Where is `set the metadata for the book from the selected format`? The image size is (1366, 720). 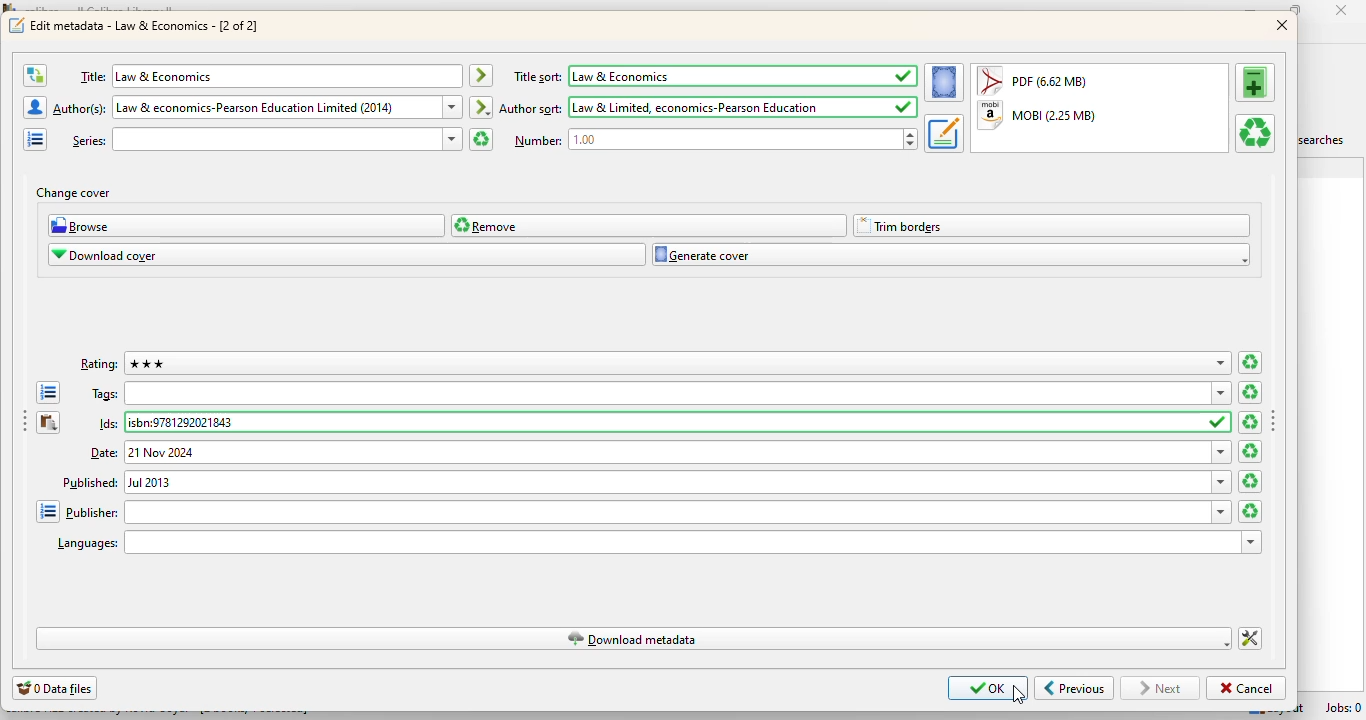 set the metadata for the book from the selected format is located at coordinates (943, 134).